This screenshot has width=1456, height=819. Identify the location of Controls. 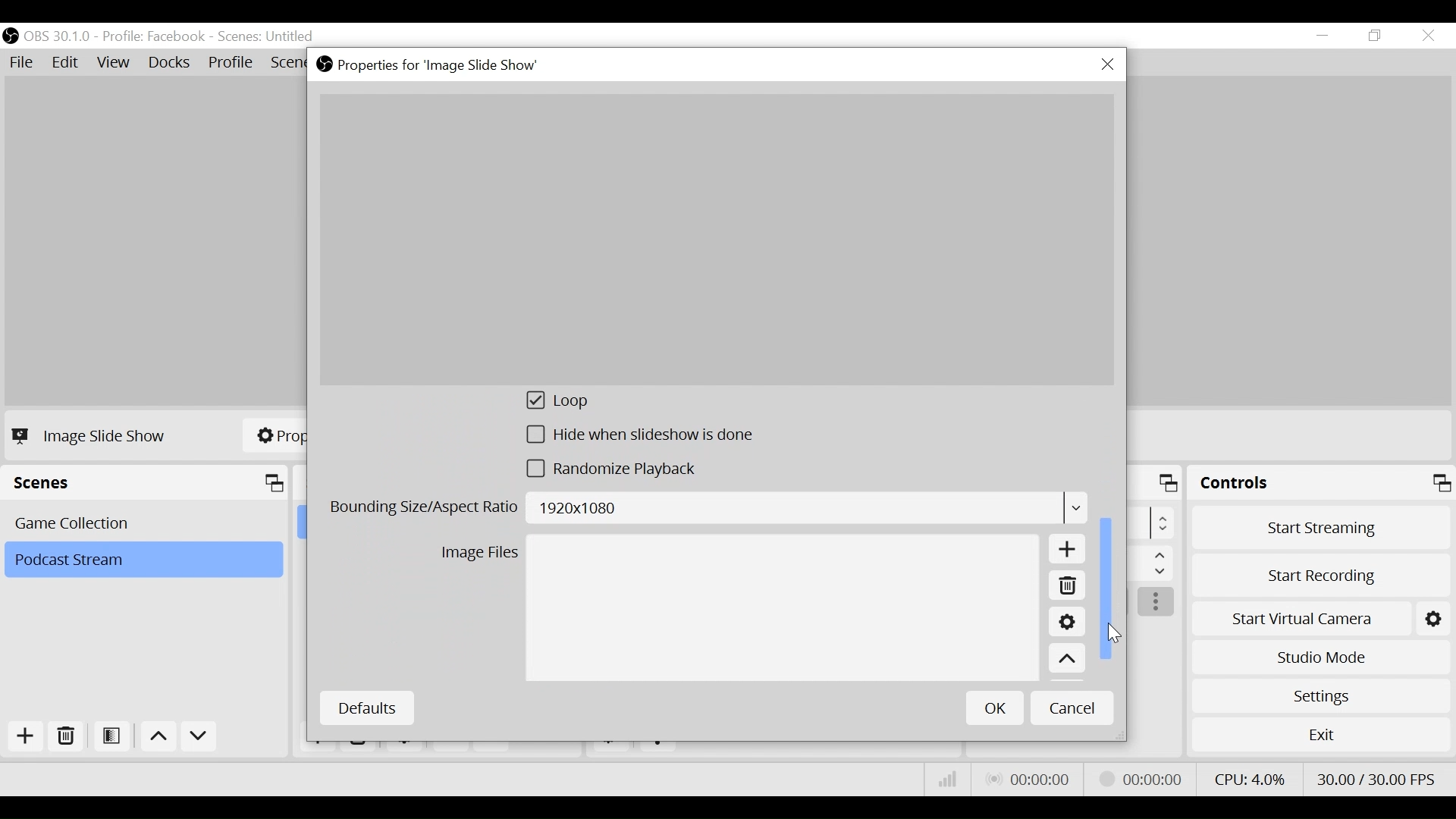
(1321, 485).